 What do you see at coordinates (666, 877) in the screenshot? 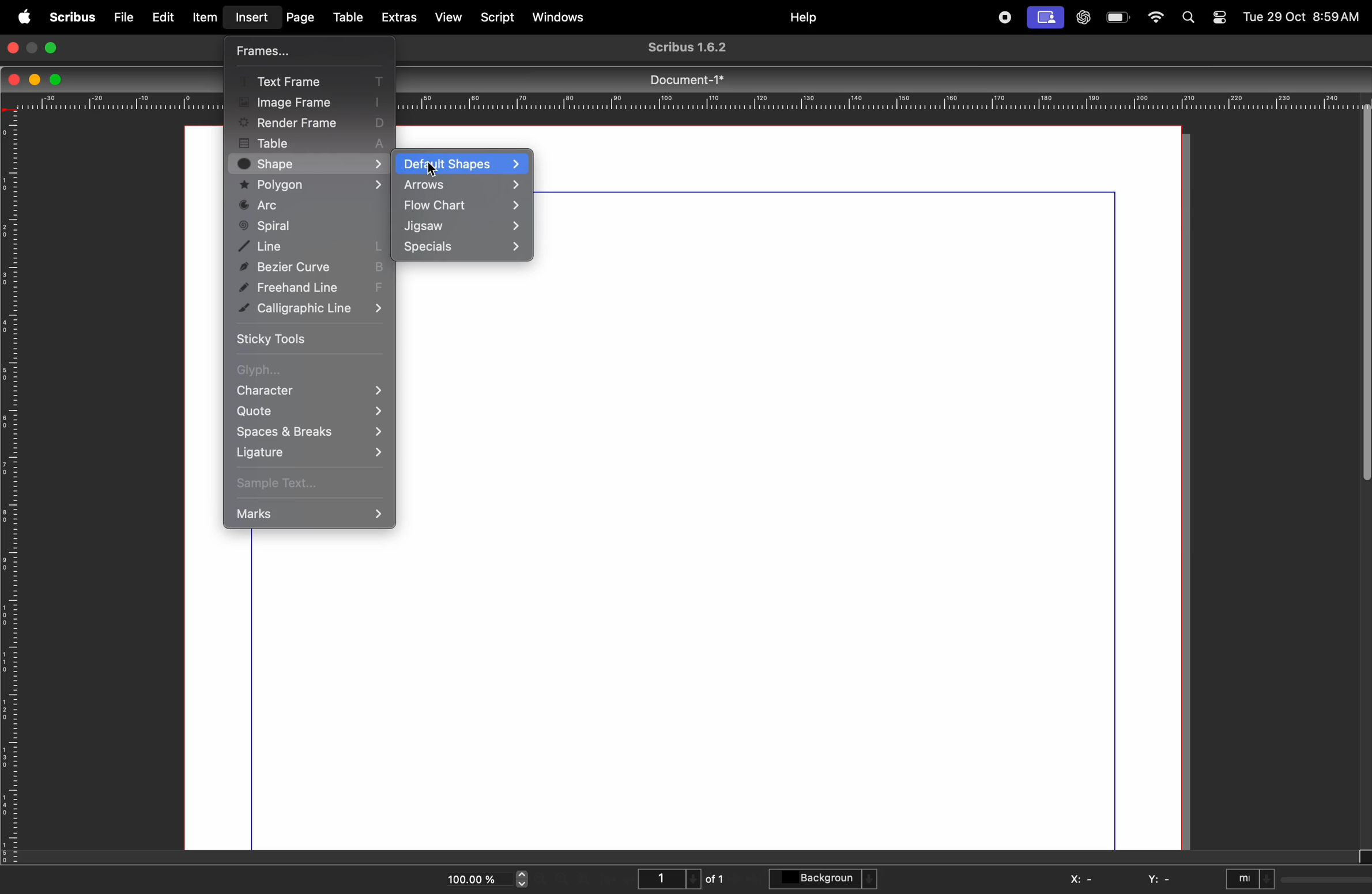
I see `1` at bounding box center [666, 877].